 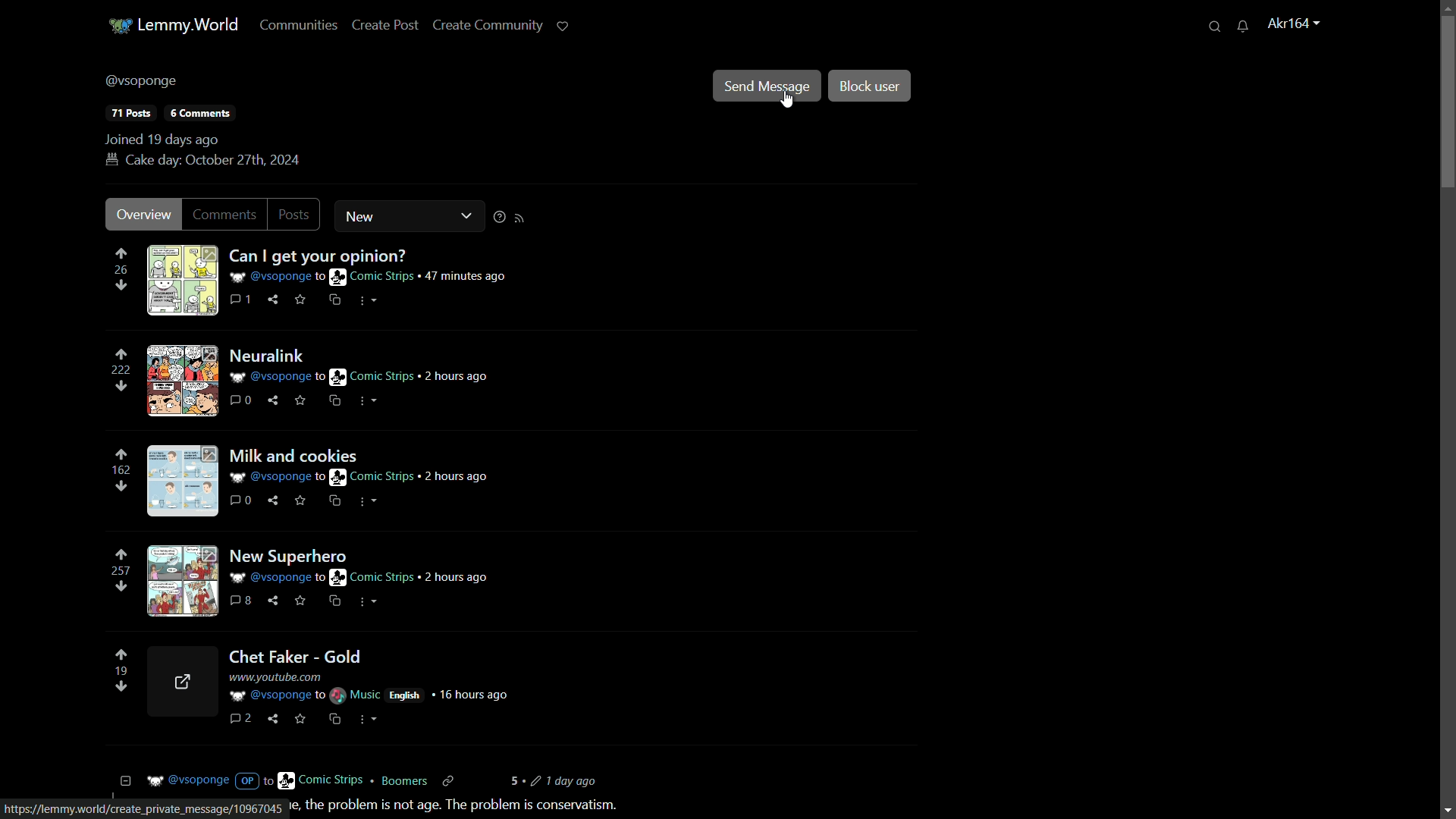 I want to click on upvote, so click(x=121, y=254).